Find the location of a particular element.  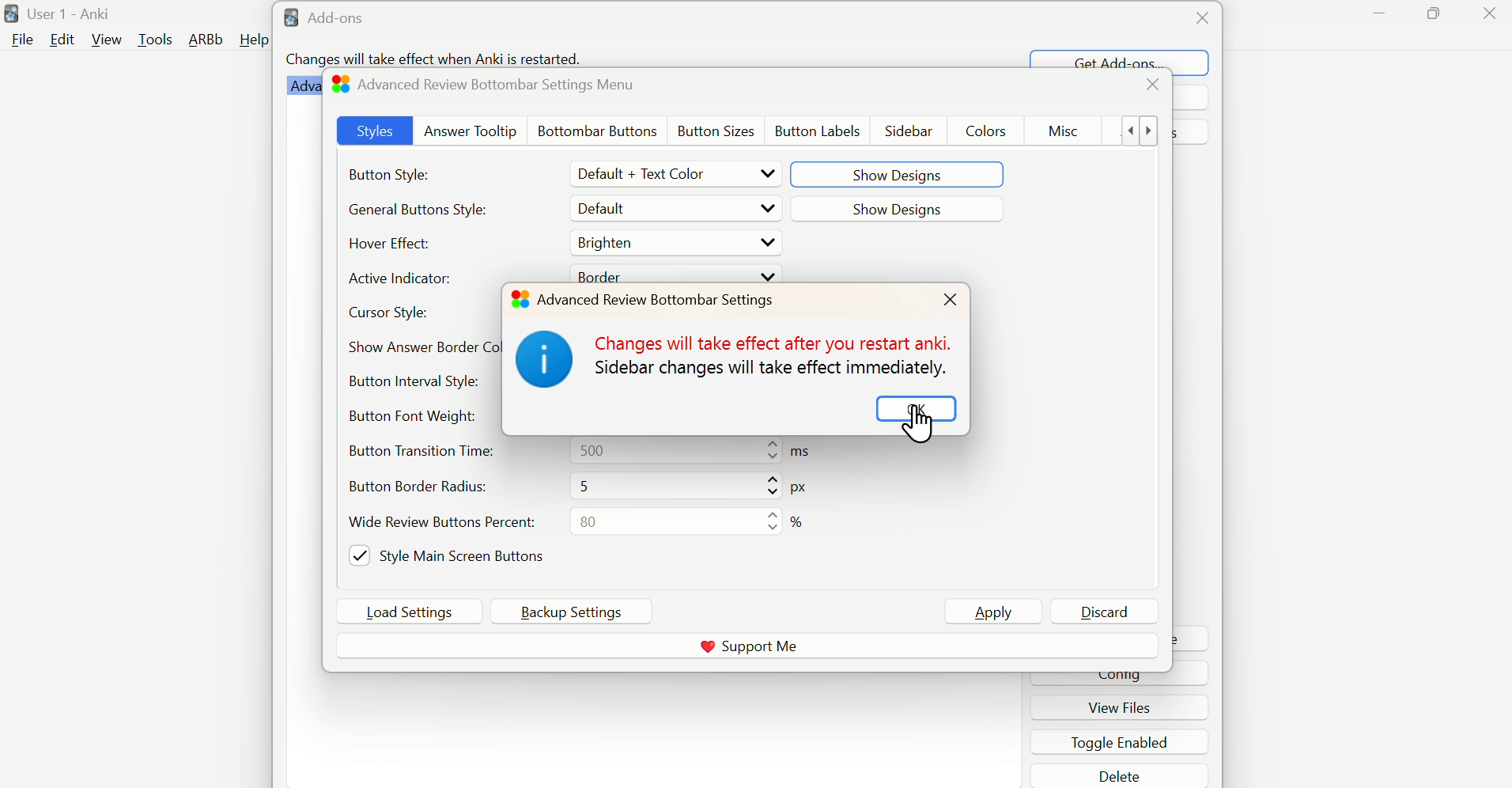

close is located at coordinates (1493, 14).